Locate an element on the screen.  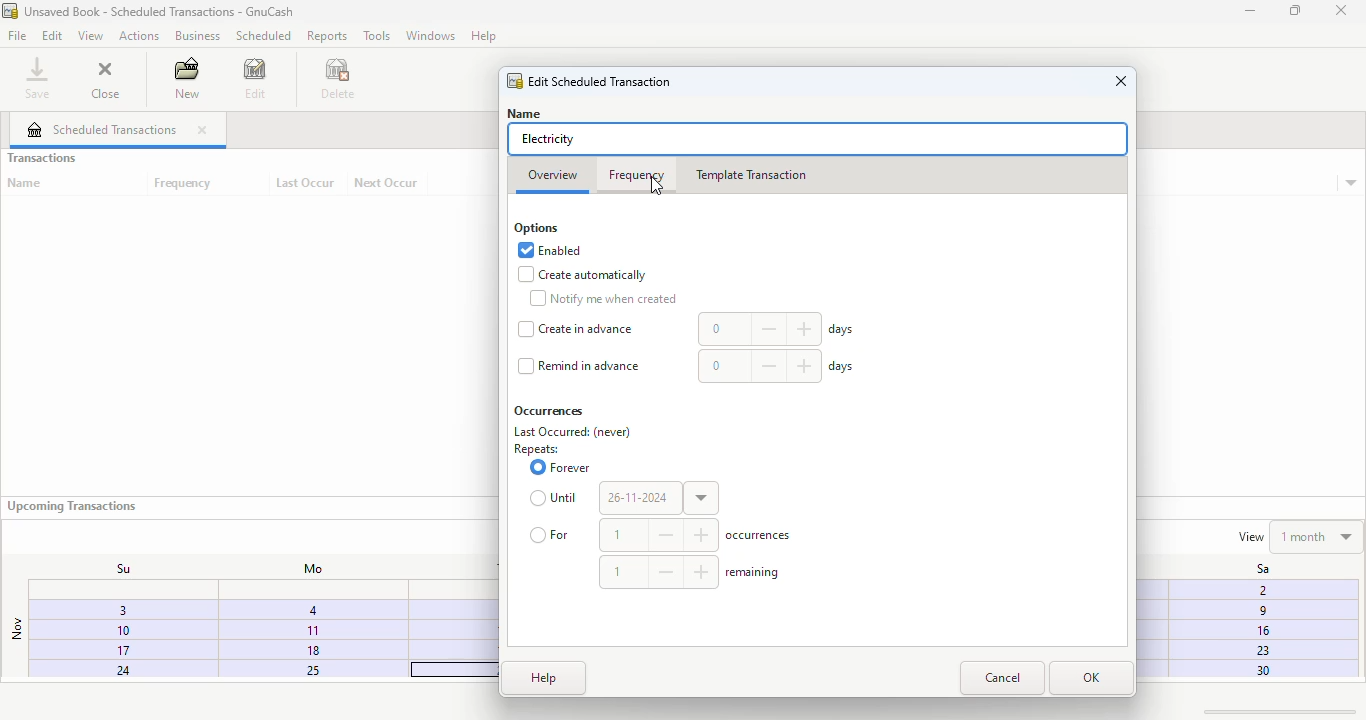
24 is located at coordinates (103, 671).